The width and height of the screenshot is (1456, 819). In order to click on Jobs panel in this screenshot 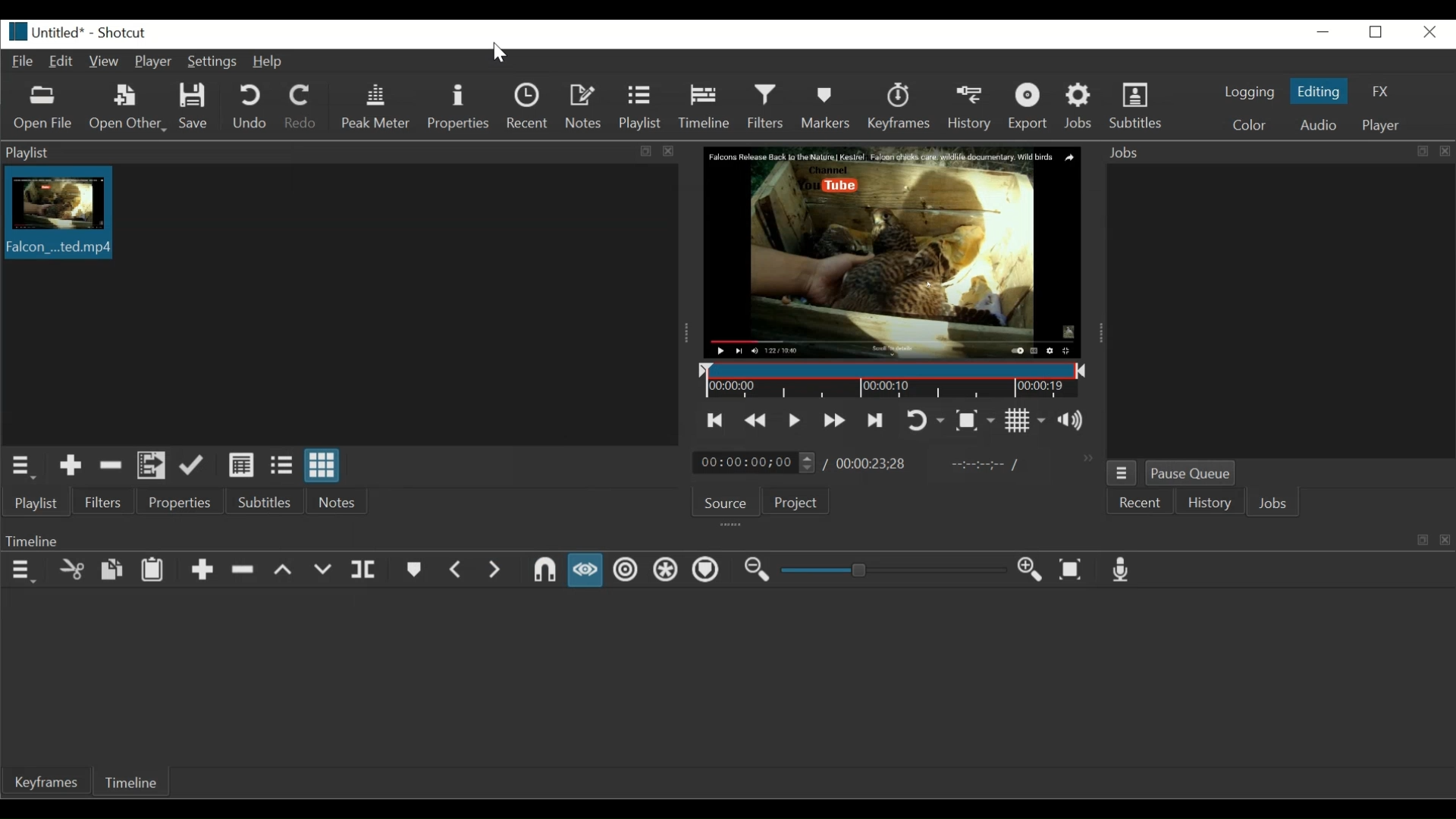, I will do `click(1276, 309)`.